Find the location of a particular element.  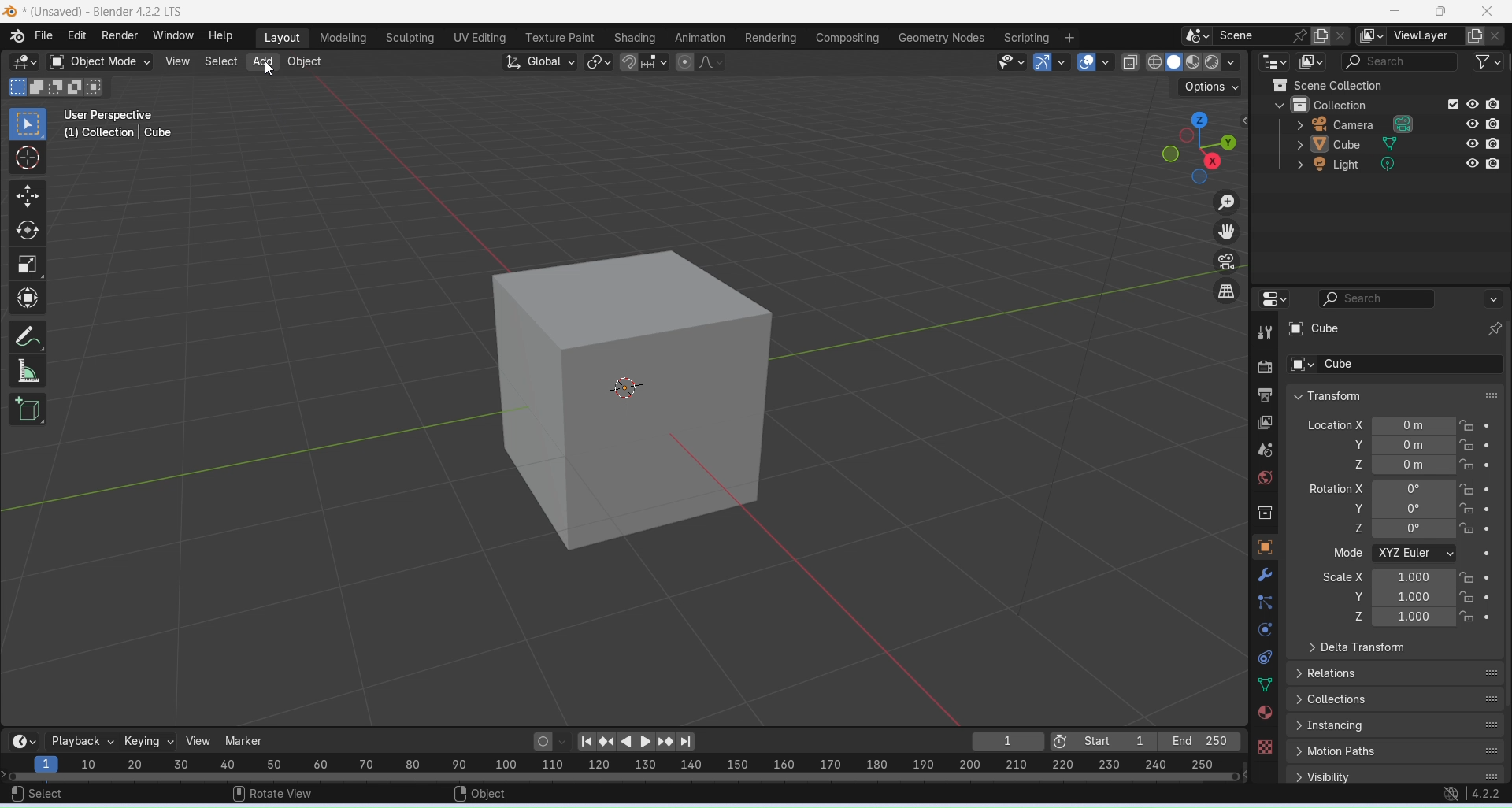

Search is located at coordinates (1395, 61).